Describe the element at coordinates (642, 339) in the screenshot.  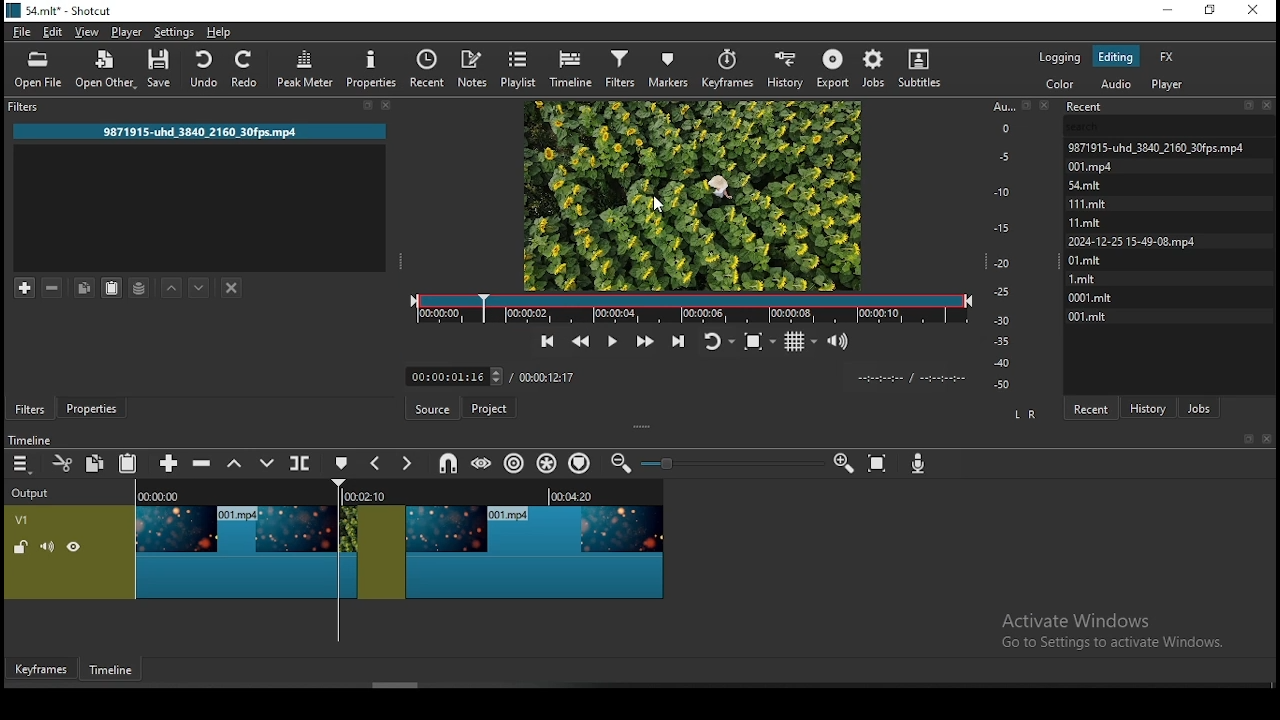
I see `play quickly forwards` at that location.